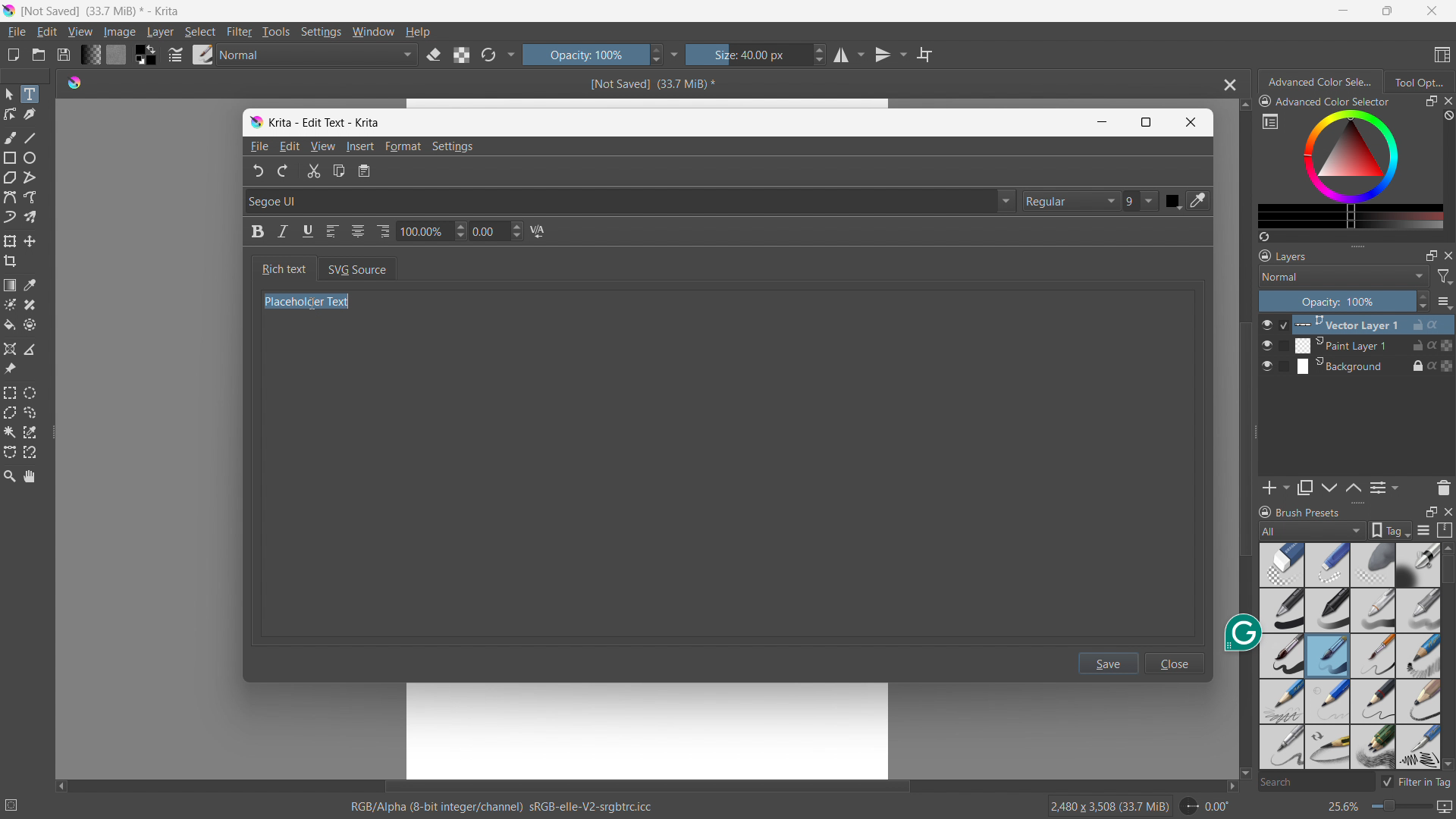 Image resolution: width=1456 pixels, height=819 pixels. I want to click on logo, so click(9, 11).